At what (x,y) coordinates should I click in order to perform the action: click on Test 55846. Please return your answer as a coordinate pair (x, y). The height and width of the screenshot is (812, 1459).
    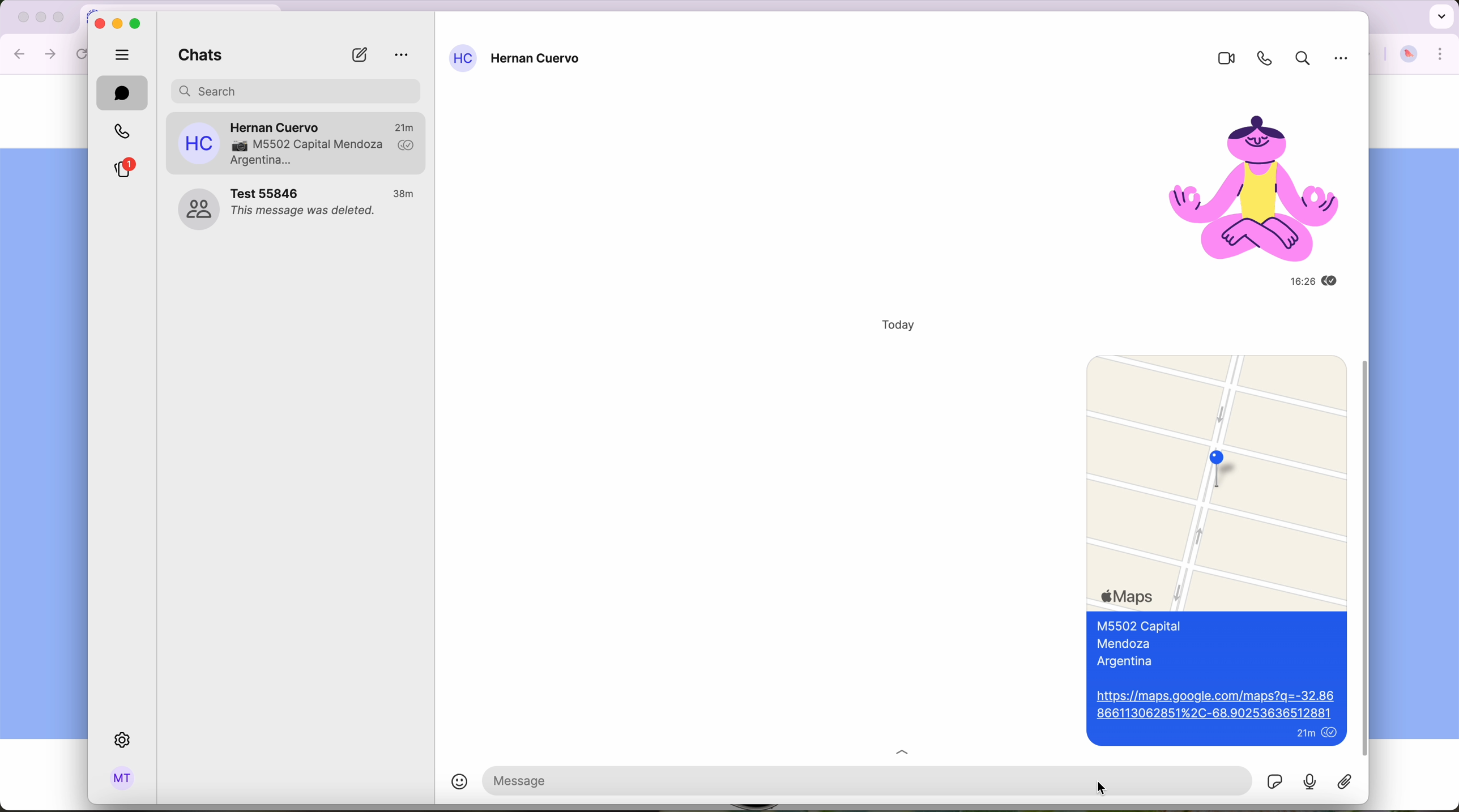
    Looking at the image, I should click on (268, 193).